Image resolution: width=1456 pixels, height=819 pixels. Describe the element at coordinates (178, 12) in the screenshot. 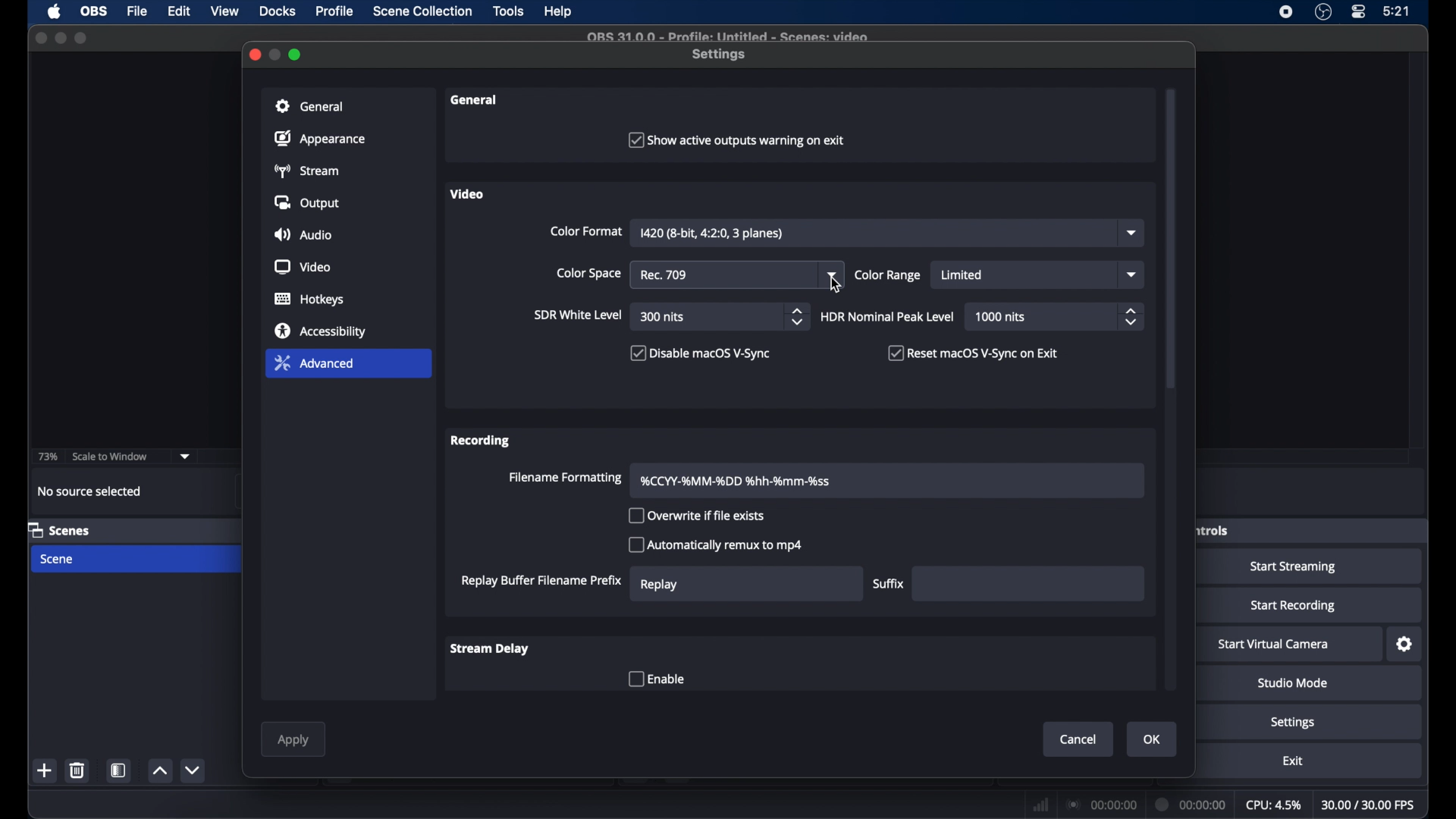

I see `edit` at that location.